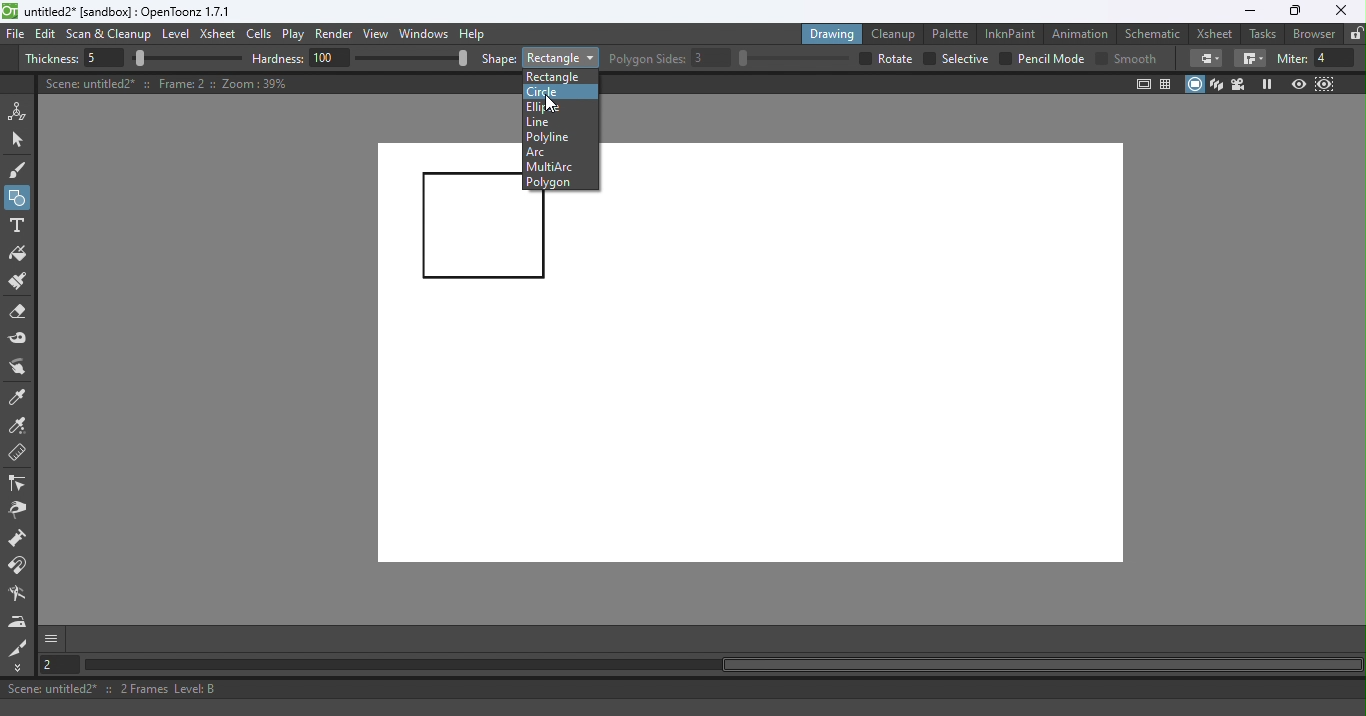 Image resolution: width=1366 pixels, height=716 pixels. Describe the element at coordinates (560, 57) in the screenshot. I see `Rectangle ` at that location.